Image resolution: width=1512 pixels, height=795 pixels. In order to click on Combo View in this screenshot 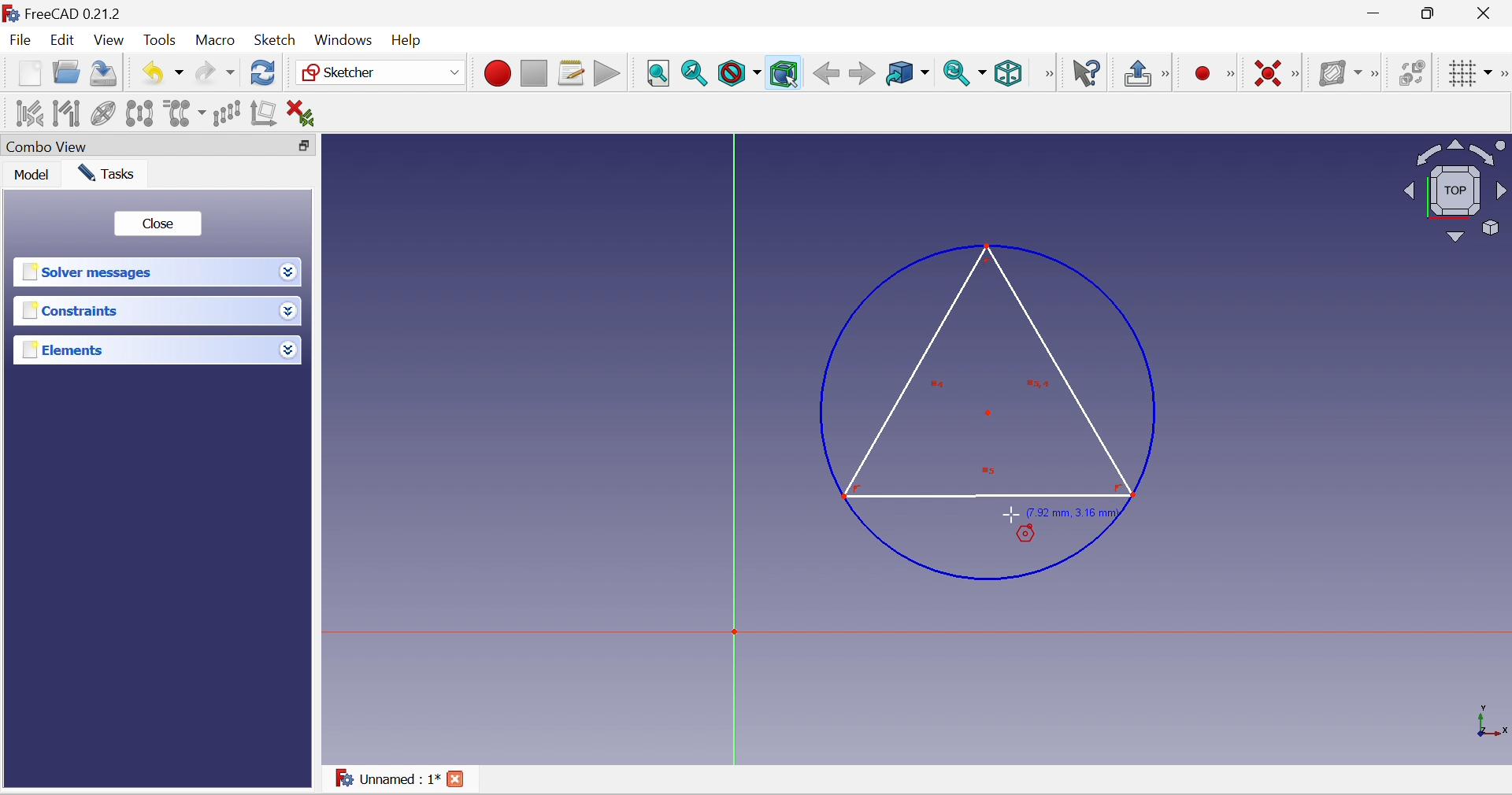, I will do `click(141, 146)`.